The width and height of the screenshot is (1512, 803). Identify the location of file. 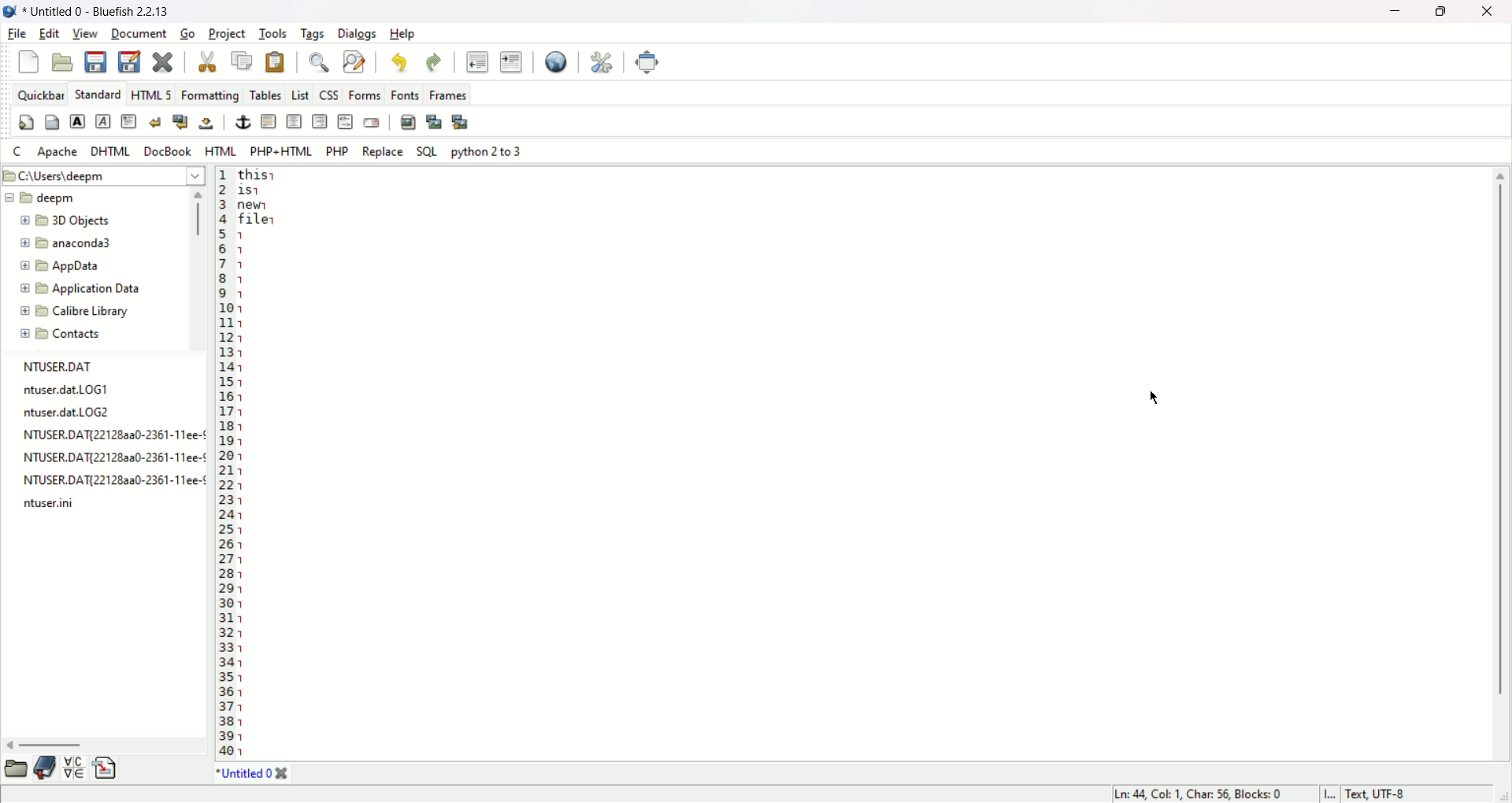
(16, 35).